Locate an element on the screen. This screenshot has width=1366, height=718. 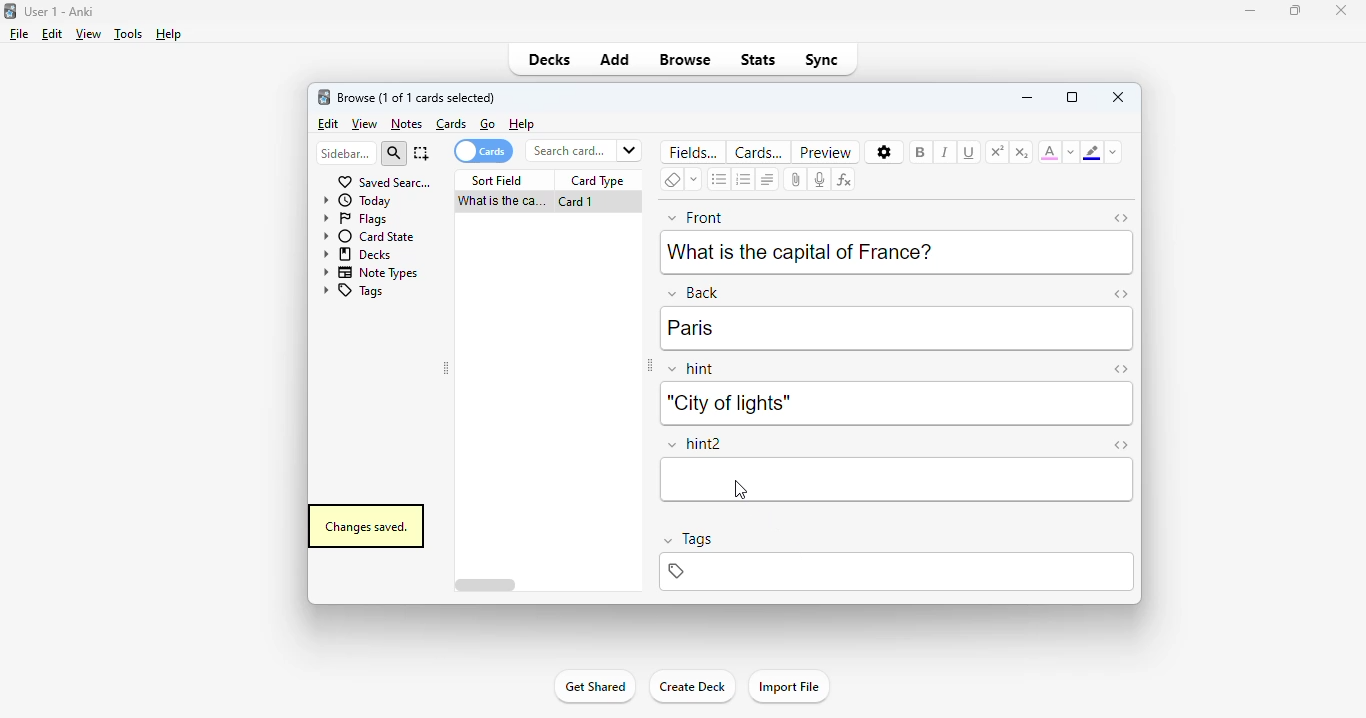
minimize is located at coordinates (1027, 96).